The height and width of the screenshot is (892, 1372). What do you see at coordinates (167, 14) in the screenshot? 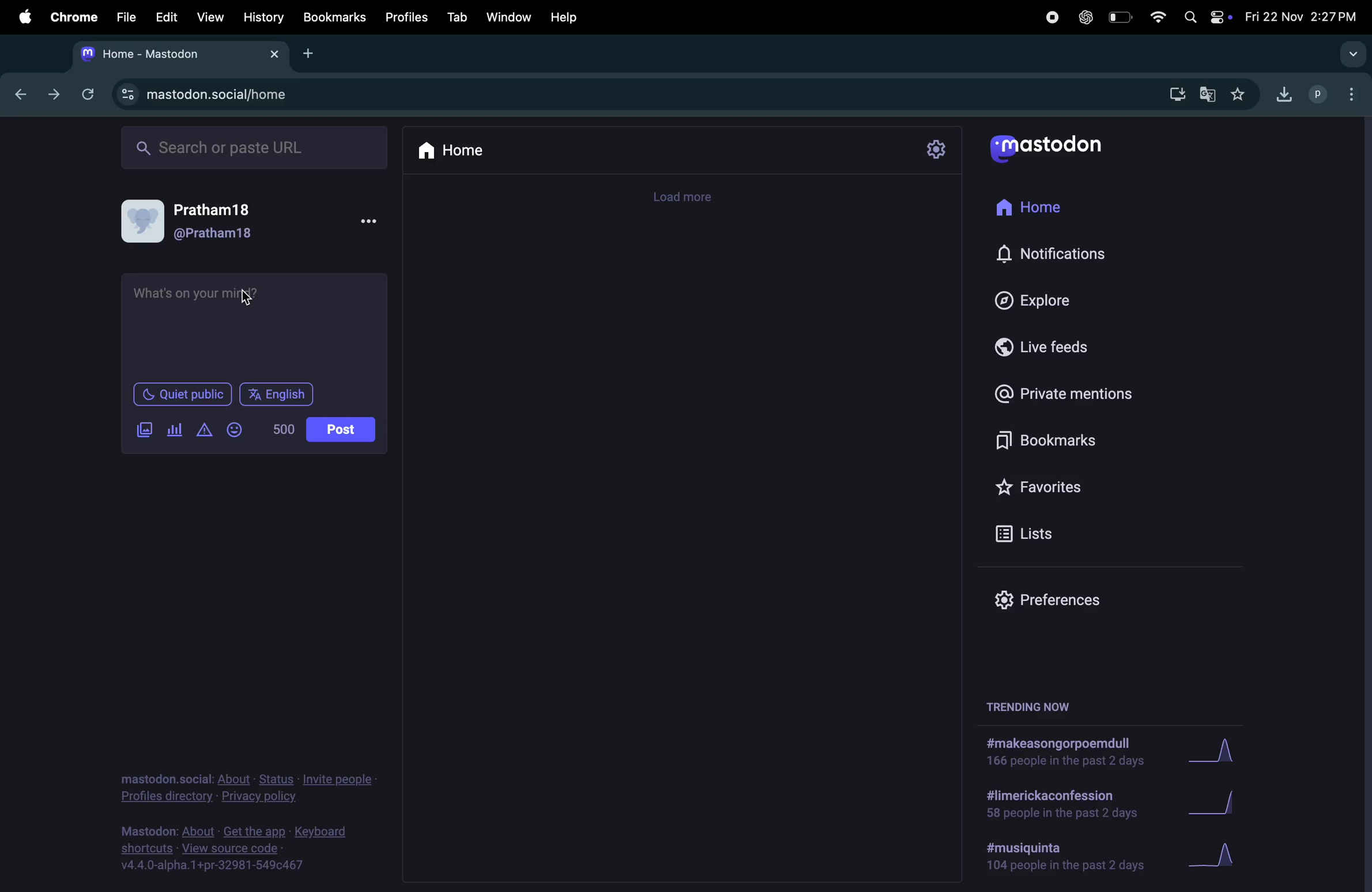
I see `edit` at bounding box center [167, 14].